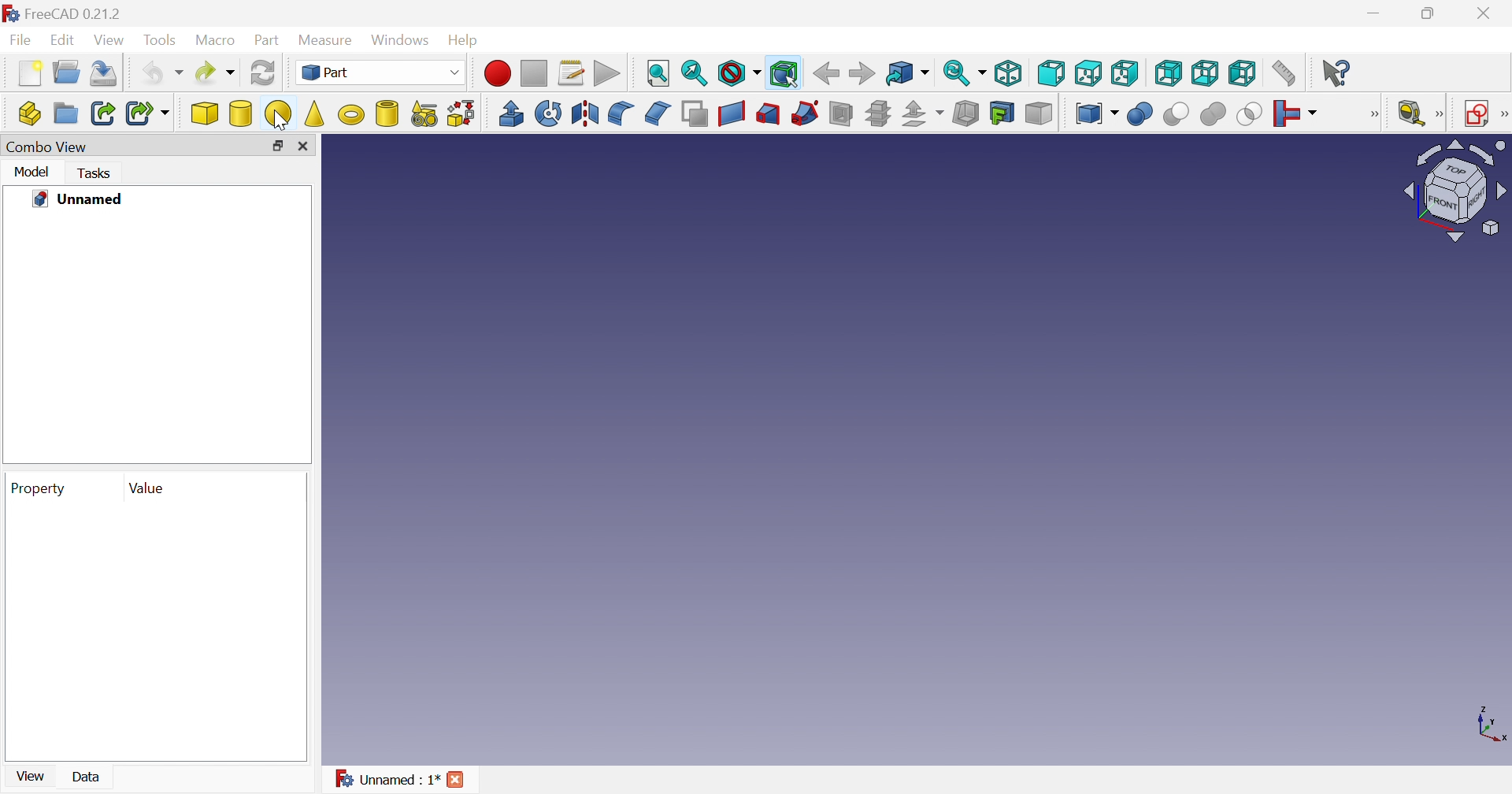 The width and height of the screenshot is (1512, 794). What do you see at coordinates (40, 487) in the screenshot?
I see `Property` at bounding box center [40, 487].